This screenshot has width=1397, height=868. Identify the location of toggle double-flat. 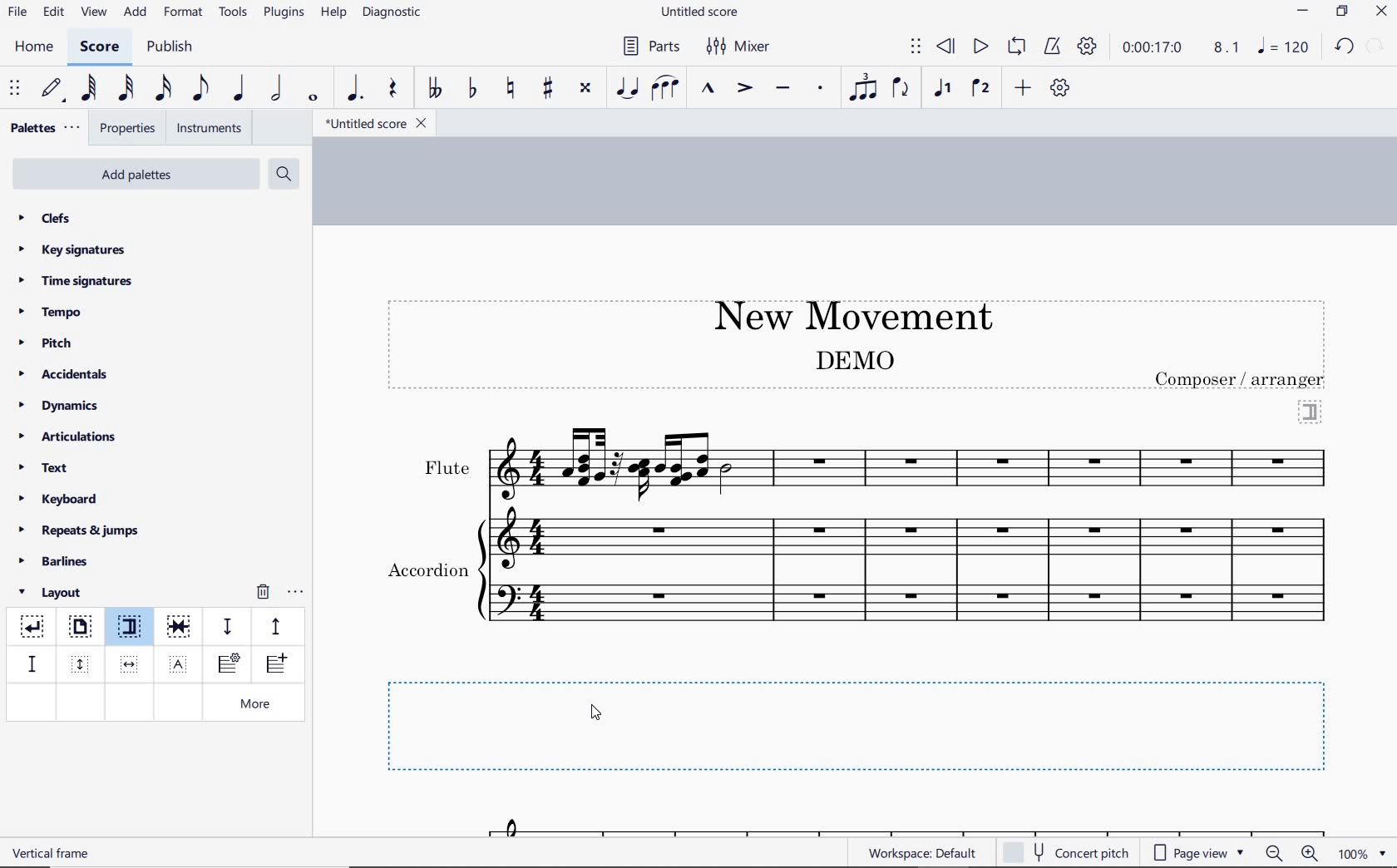
(434, 89).